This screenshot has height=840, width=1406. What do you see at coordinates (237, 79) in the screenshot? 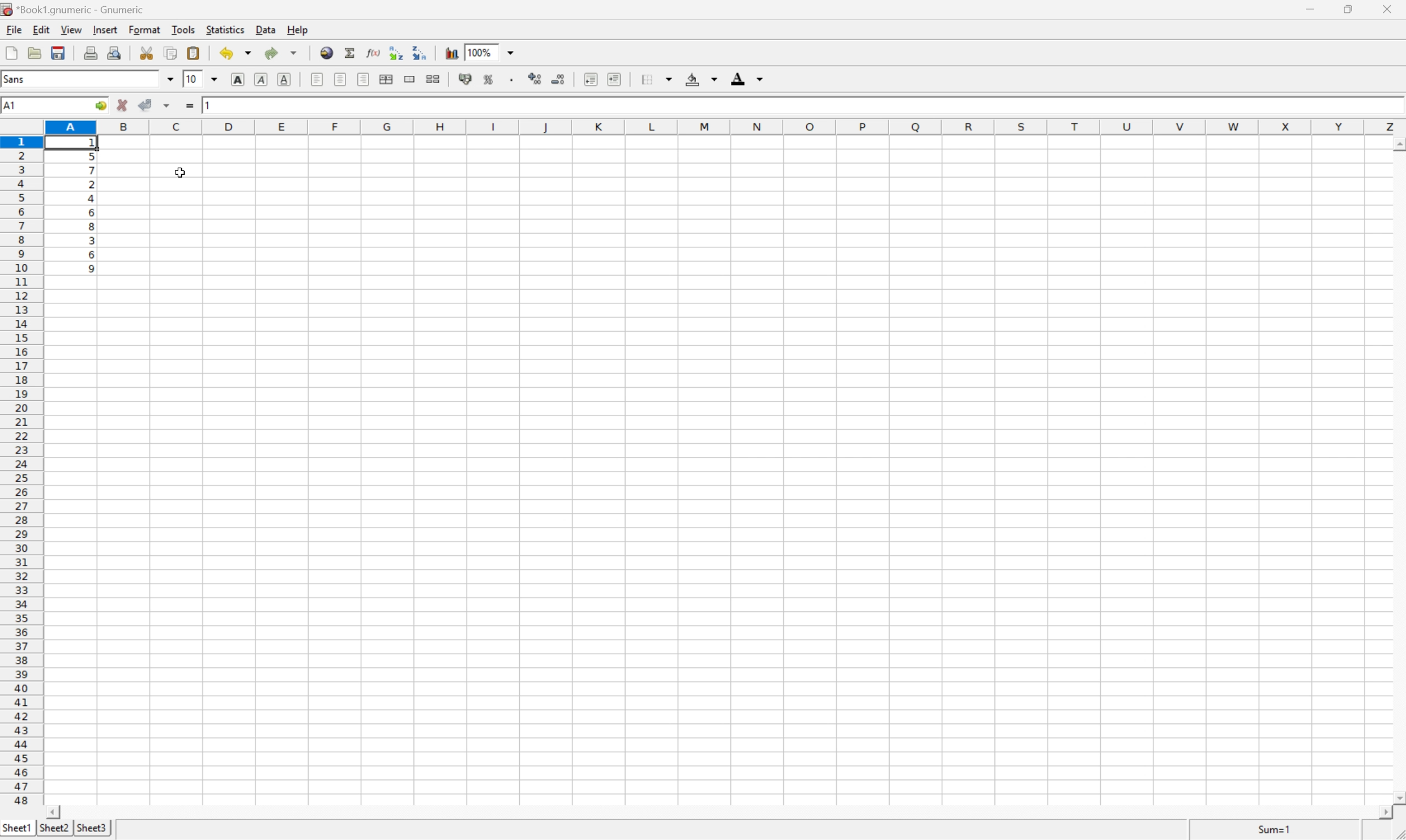
I see `bold` at bounding box center [237, 79].